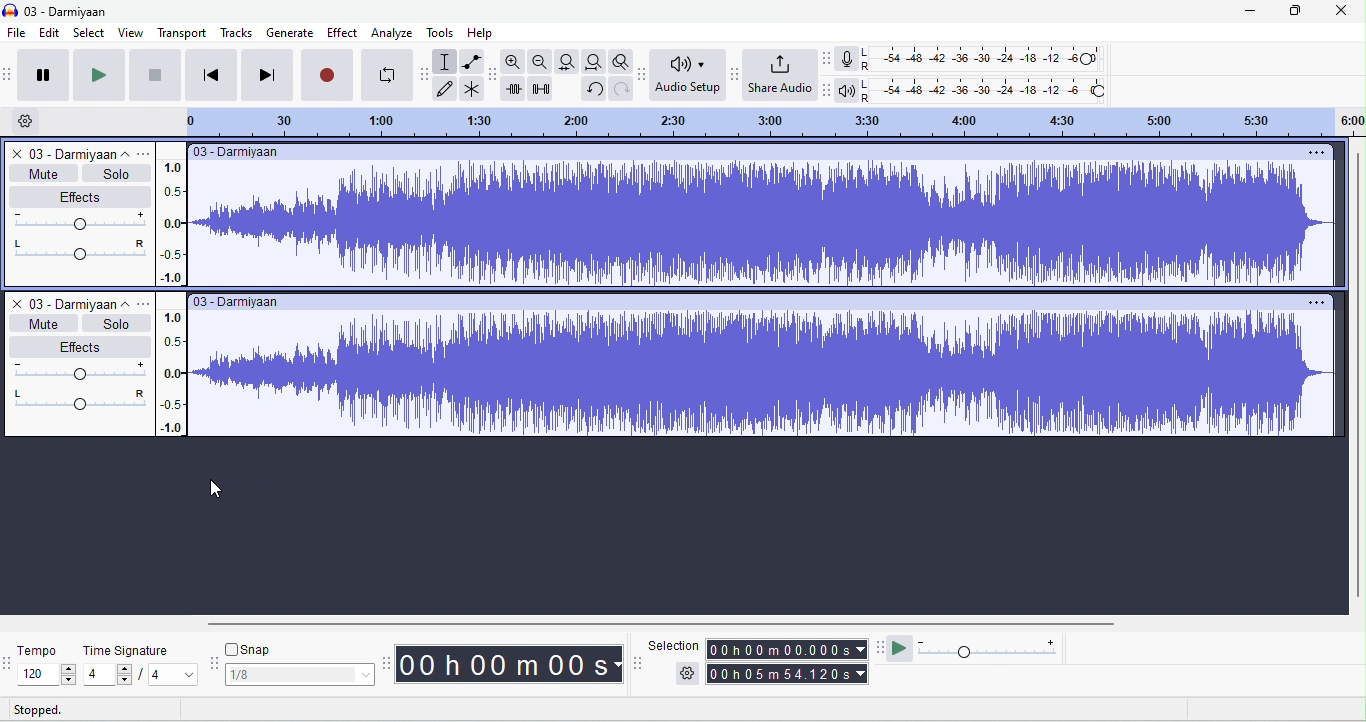  Describe the element at coordinates (779, 76) in the screenshot. I see `share audio` at that location.